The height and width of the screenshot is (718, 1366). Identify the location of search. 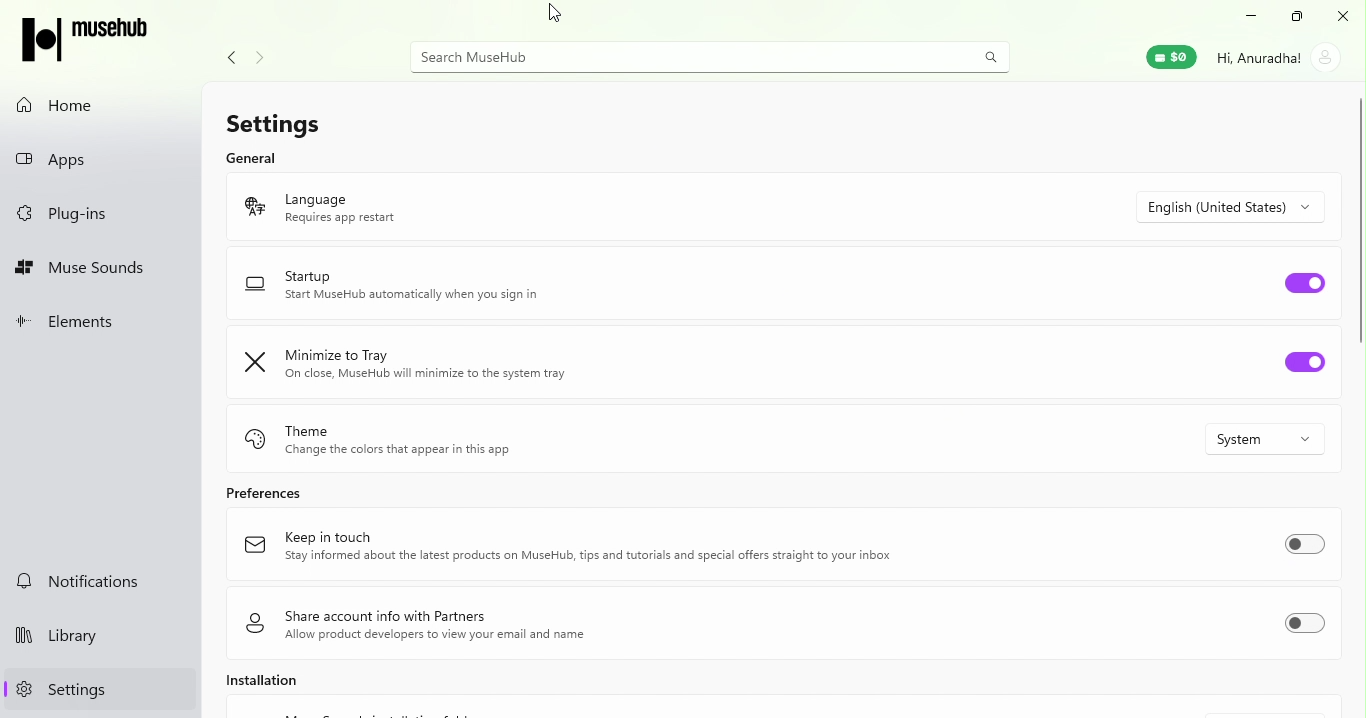
(991, 54).